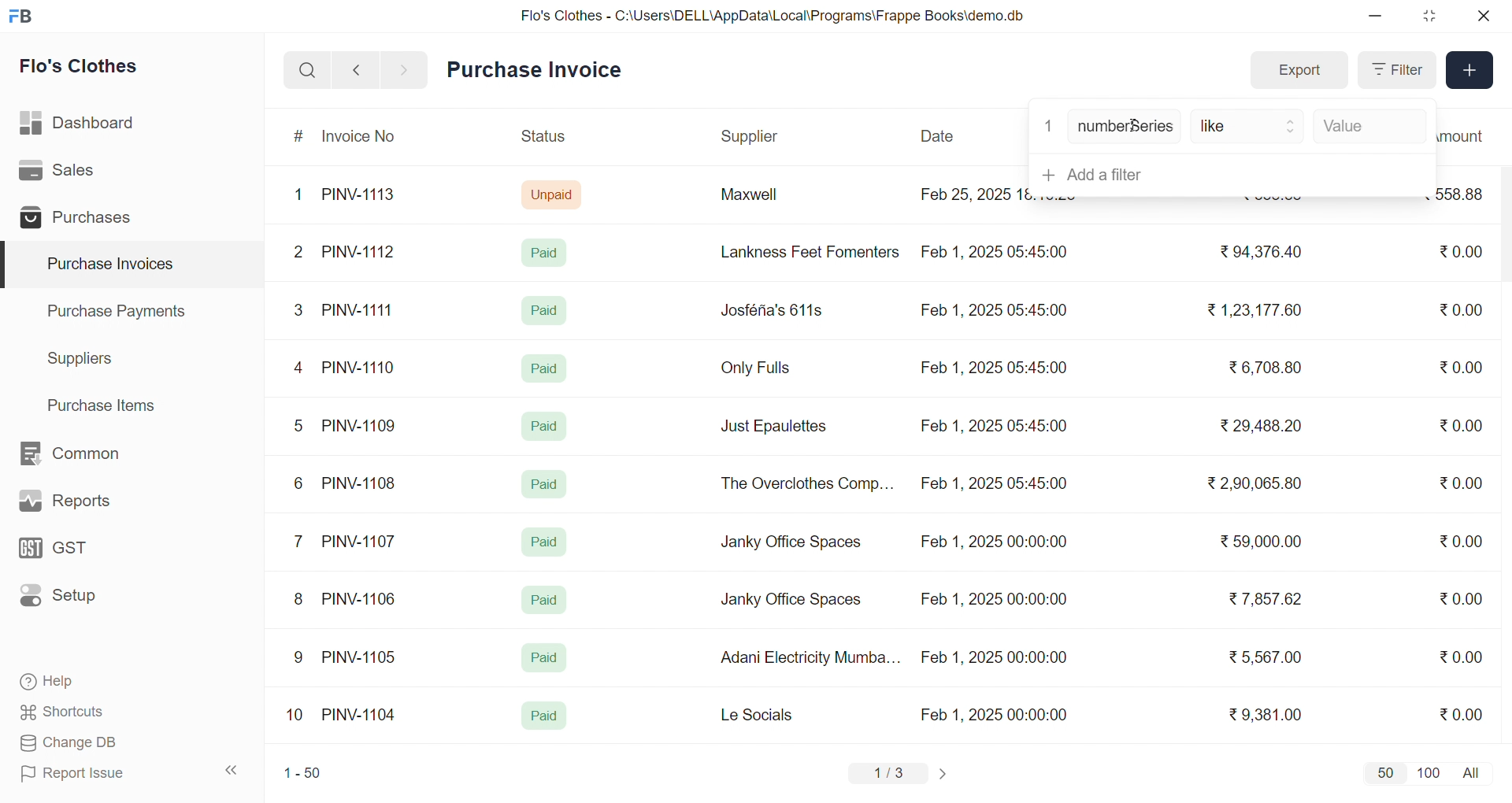 This screenshot has width=1512, height=803. What do you see at coordinates (1461, 367) in the screenshot?
I see `₹0.00` at bounding box center [1461, 367].